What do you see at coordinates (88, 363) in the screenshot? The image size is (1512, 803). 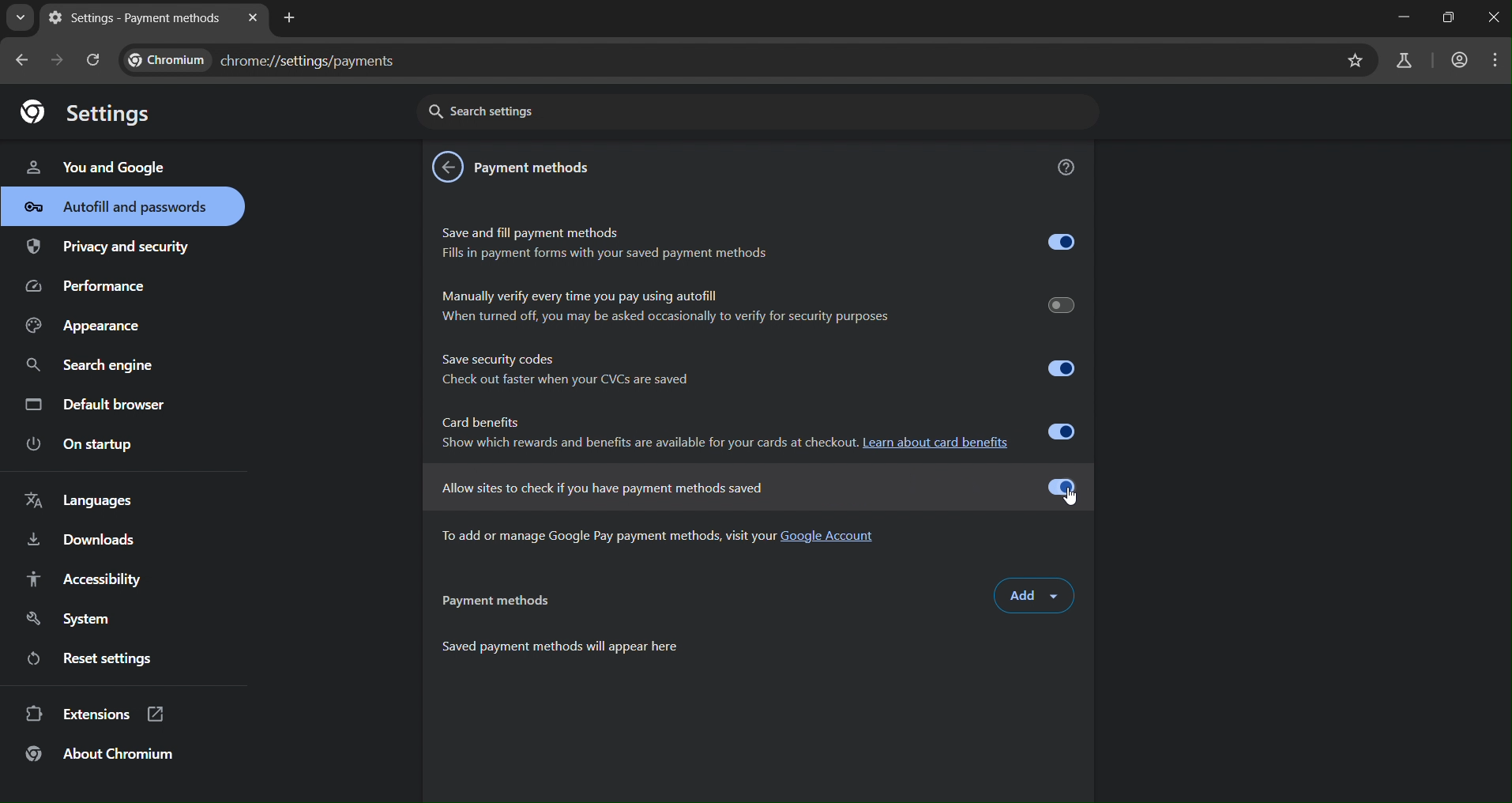 I see `search engine` at bounding box center [88, 363].